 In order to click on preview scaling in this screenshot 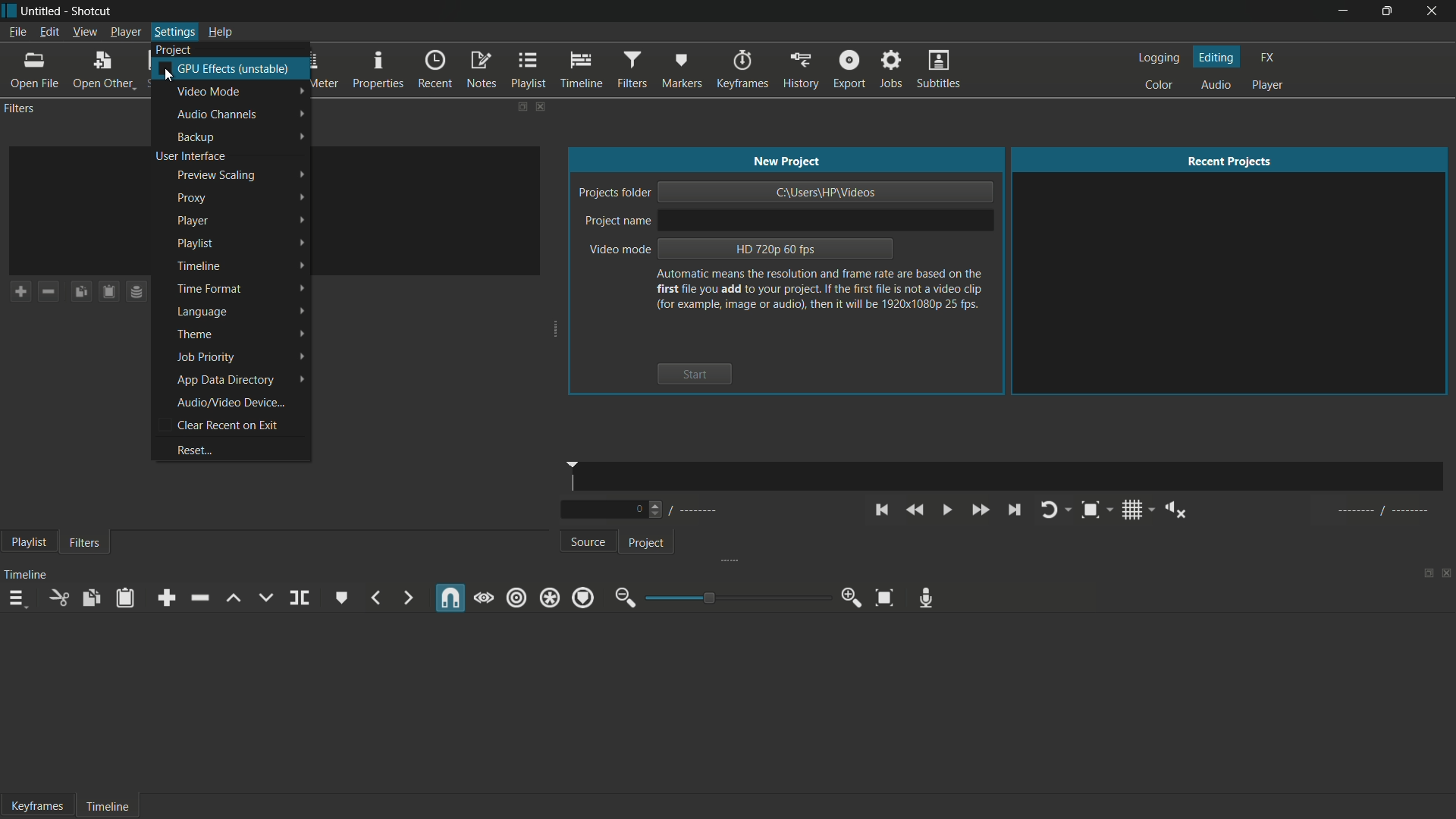, I will do `click(216, 175)`.